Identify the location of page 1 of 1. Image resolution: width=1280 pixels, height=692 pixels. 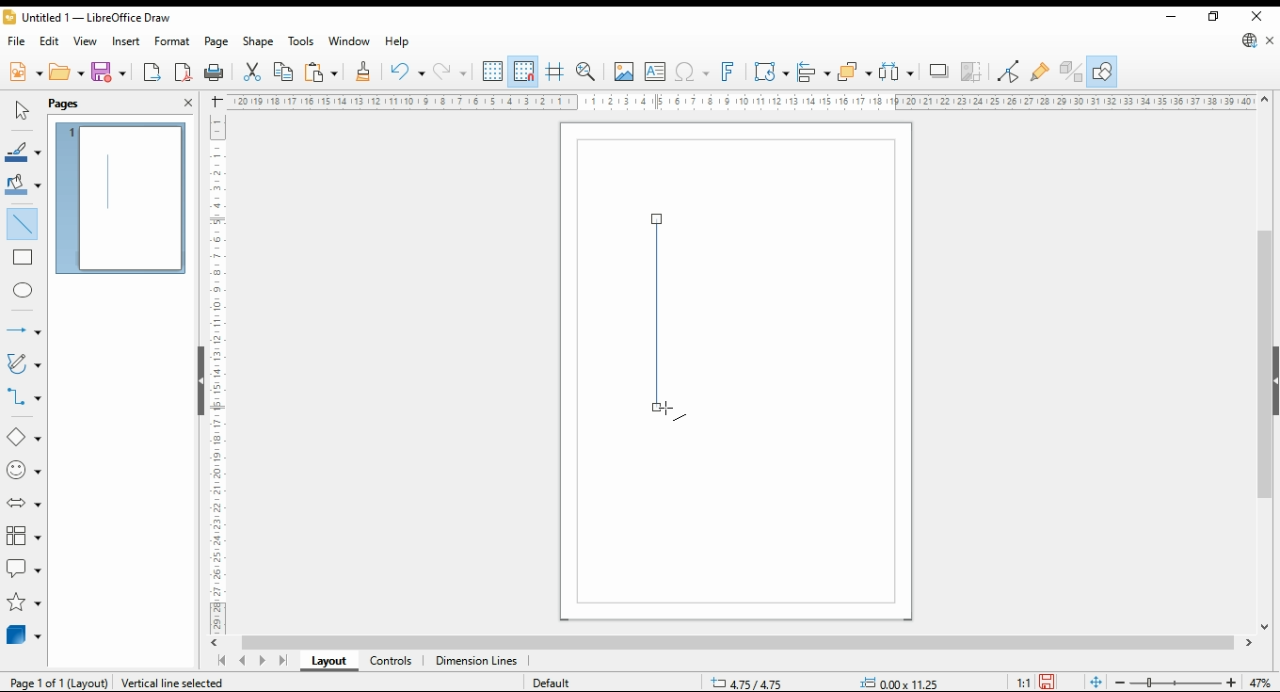
(55, 683).